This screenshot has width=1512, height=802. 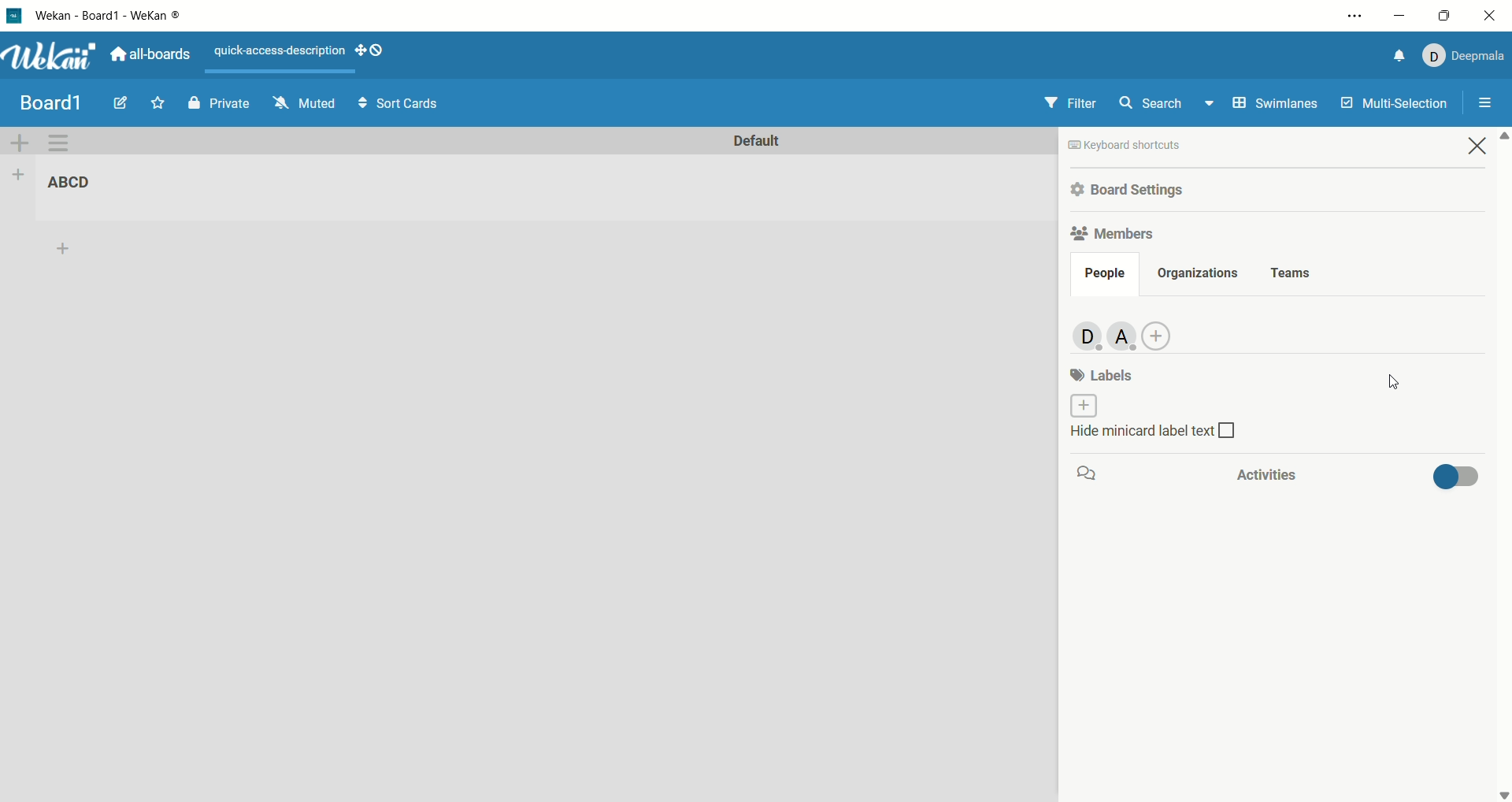 I want to click on notification, so click(x=1401, y=56).